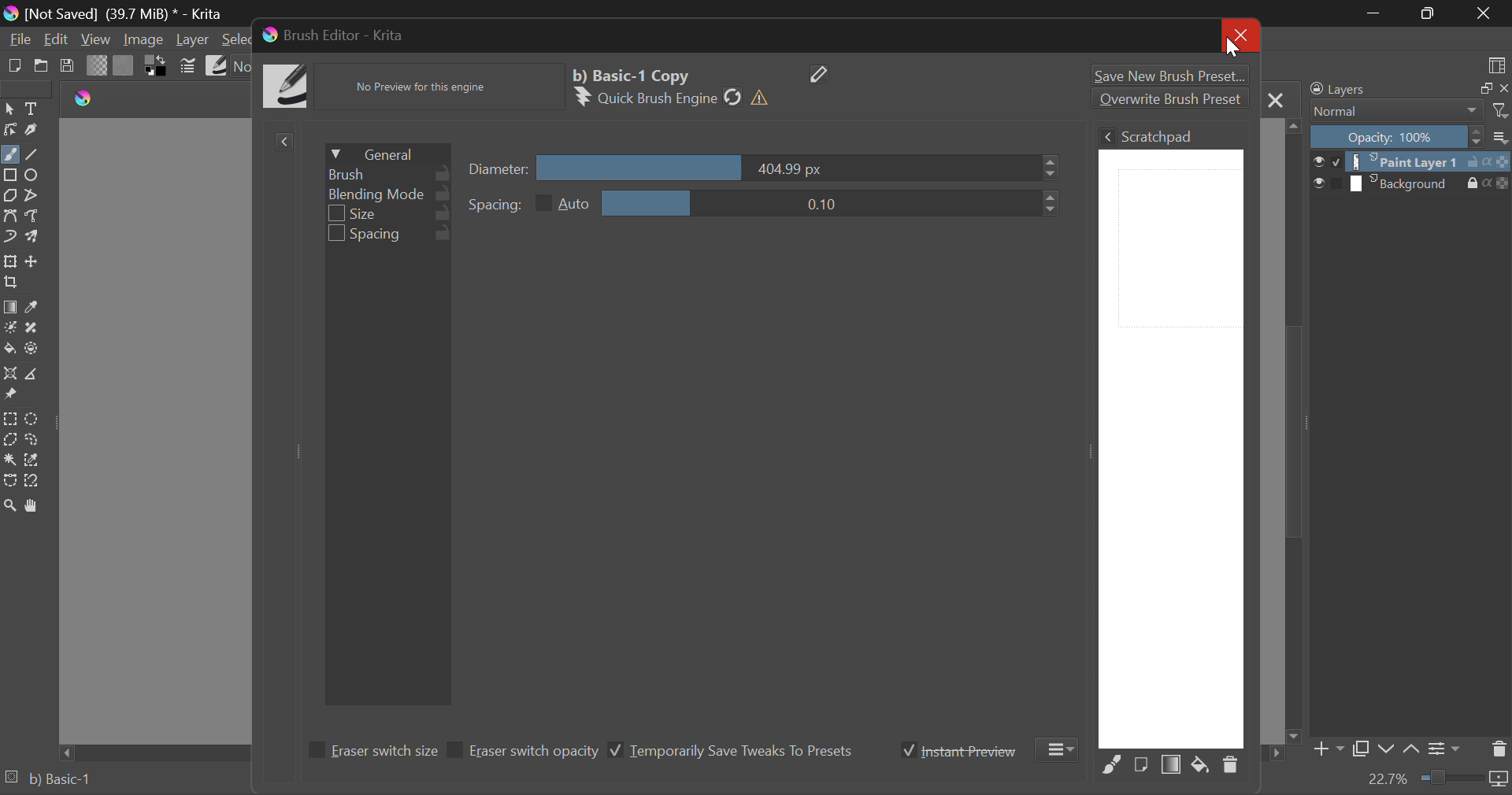 Image resolution: width=1512 pixels, height=795 pixels. Describe the element at coordinates (193, 41) in the screenshot. I see `Layer` at that location.